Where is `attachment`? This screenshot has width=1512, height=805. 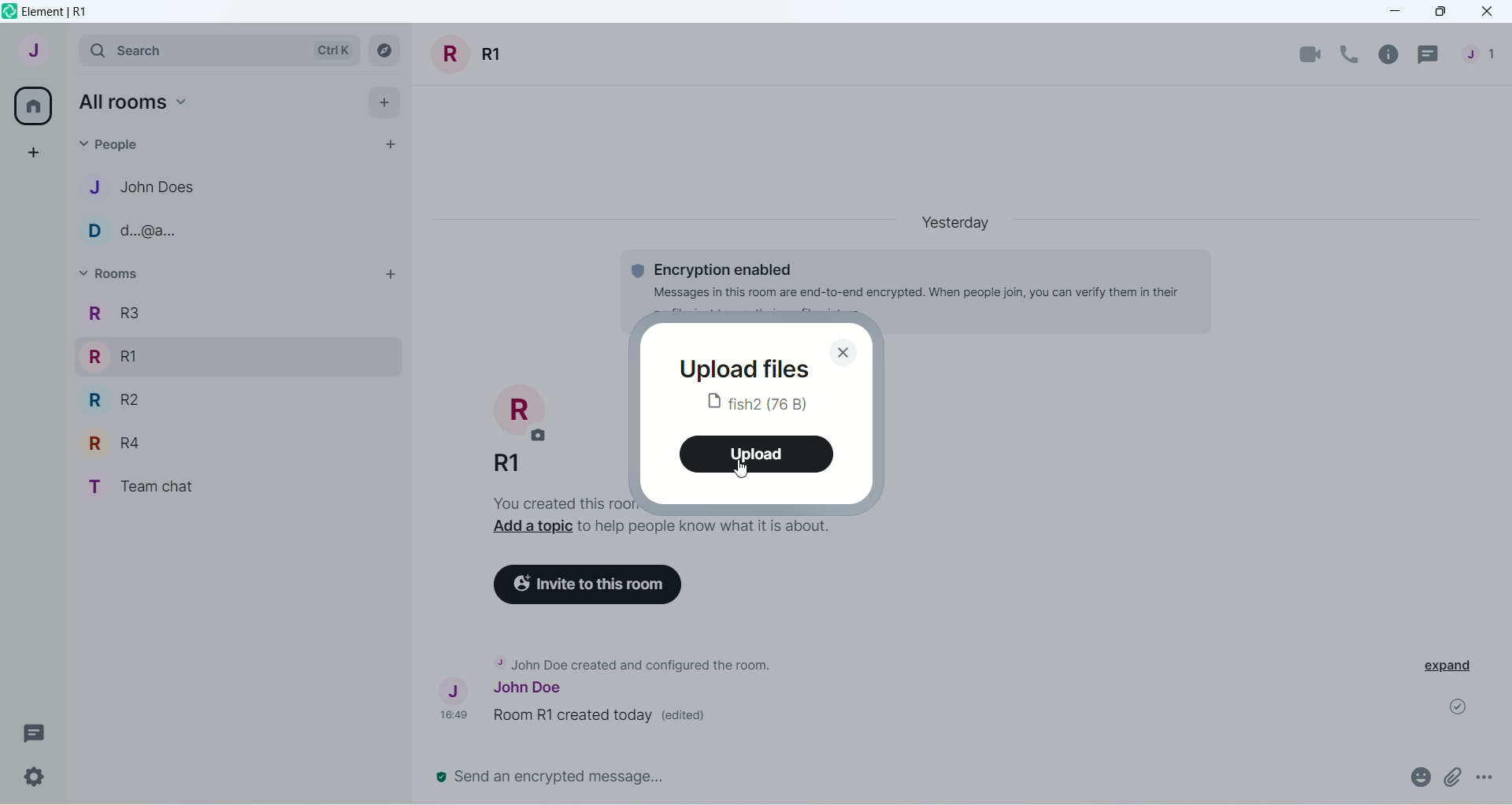 attachment is located at coordinates (1415, 779).